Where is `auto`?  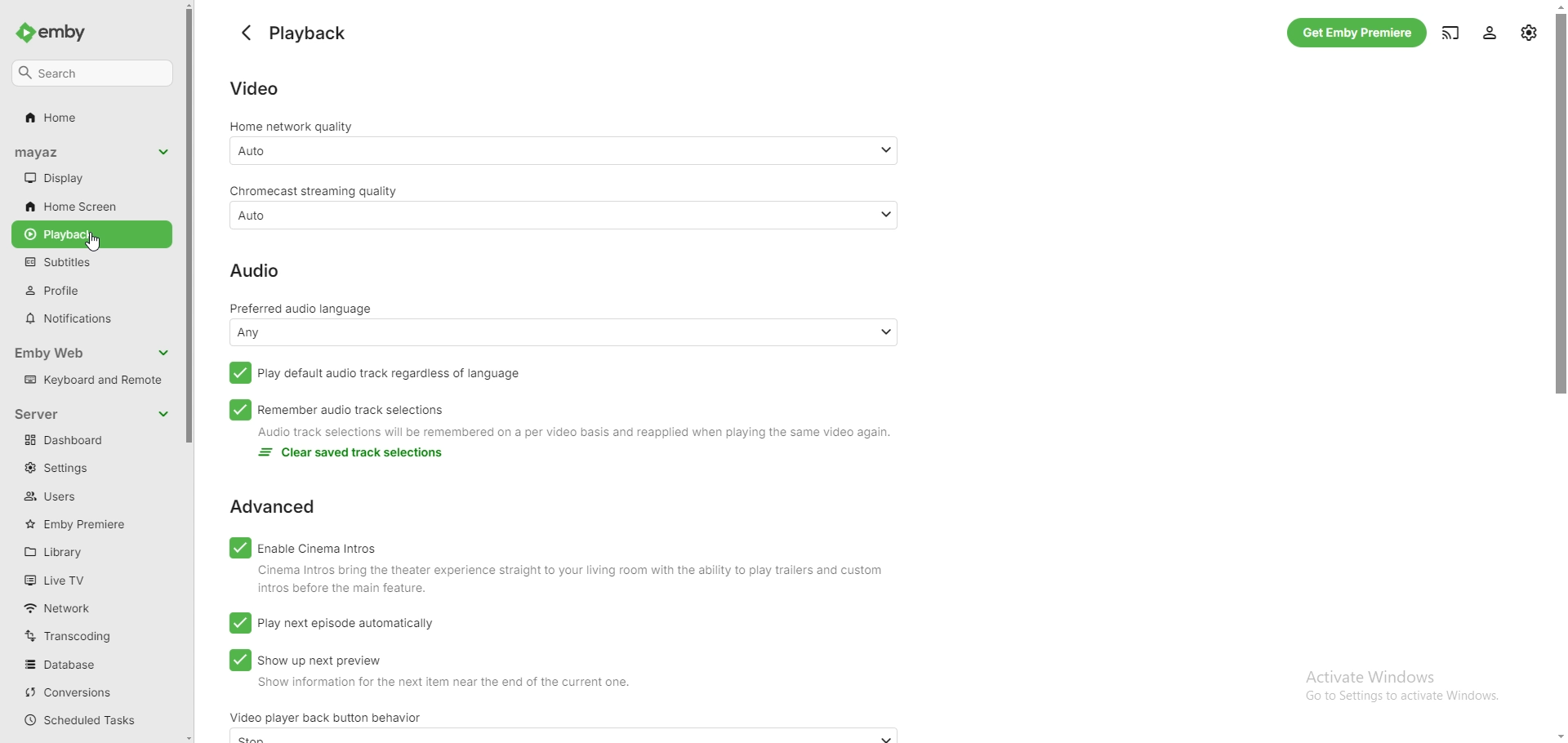
auto is located at coordinates (564, 149).